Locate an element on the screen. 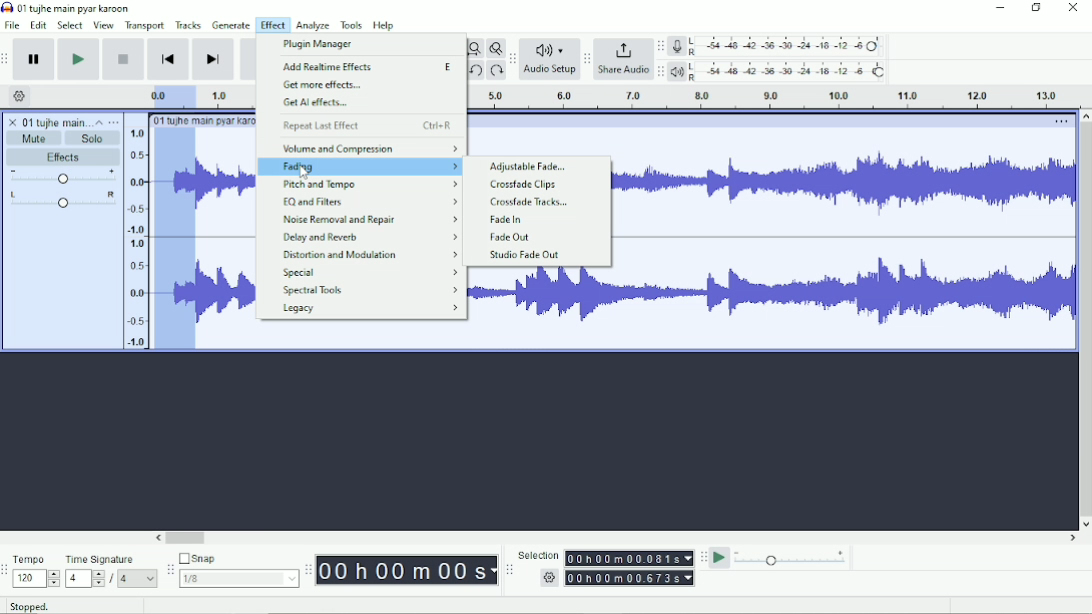 The height and width of the screenshot is (614, 1092). 00 h 00 m 00.081s is located at coordinates (628, 558).